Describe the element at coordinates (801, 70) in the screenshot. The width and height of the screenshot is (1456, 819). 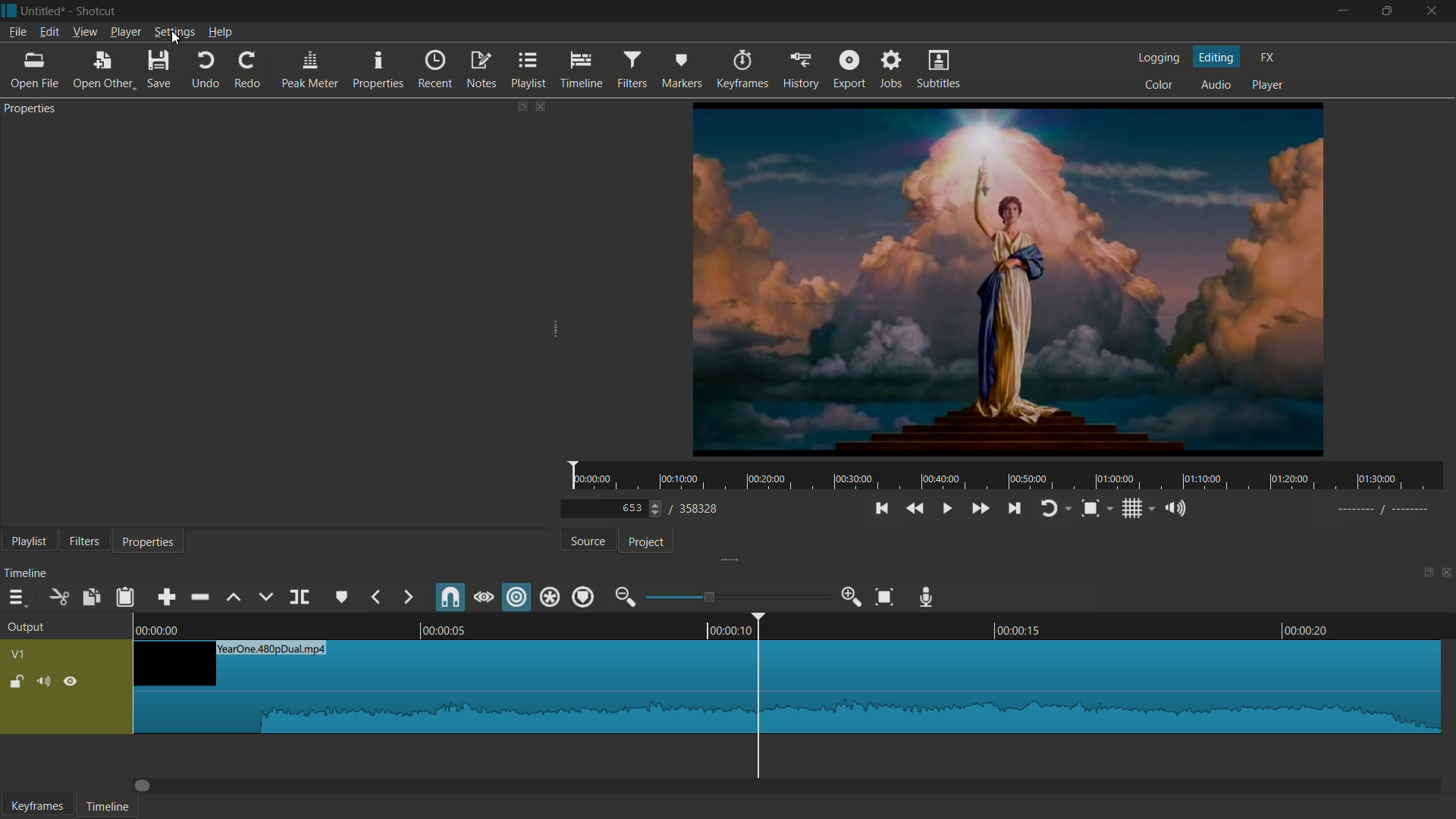
I see `history` at that location.